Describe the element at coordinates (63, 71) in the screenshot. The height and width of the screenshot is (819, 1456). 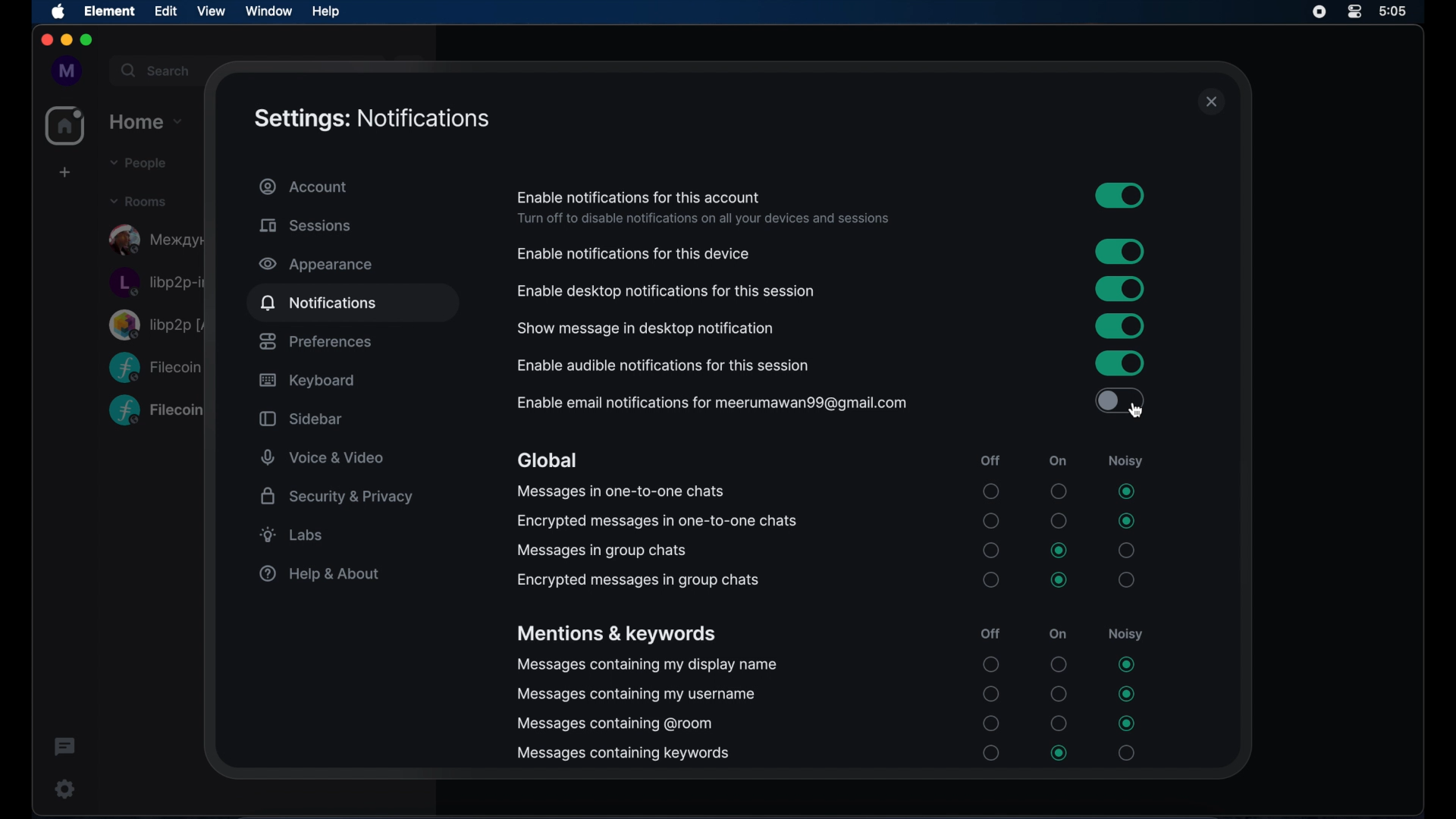
I see `profile` at that location.